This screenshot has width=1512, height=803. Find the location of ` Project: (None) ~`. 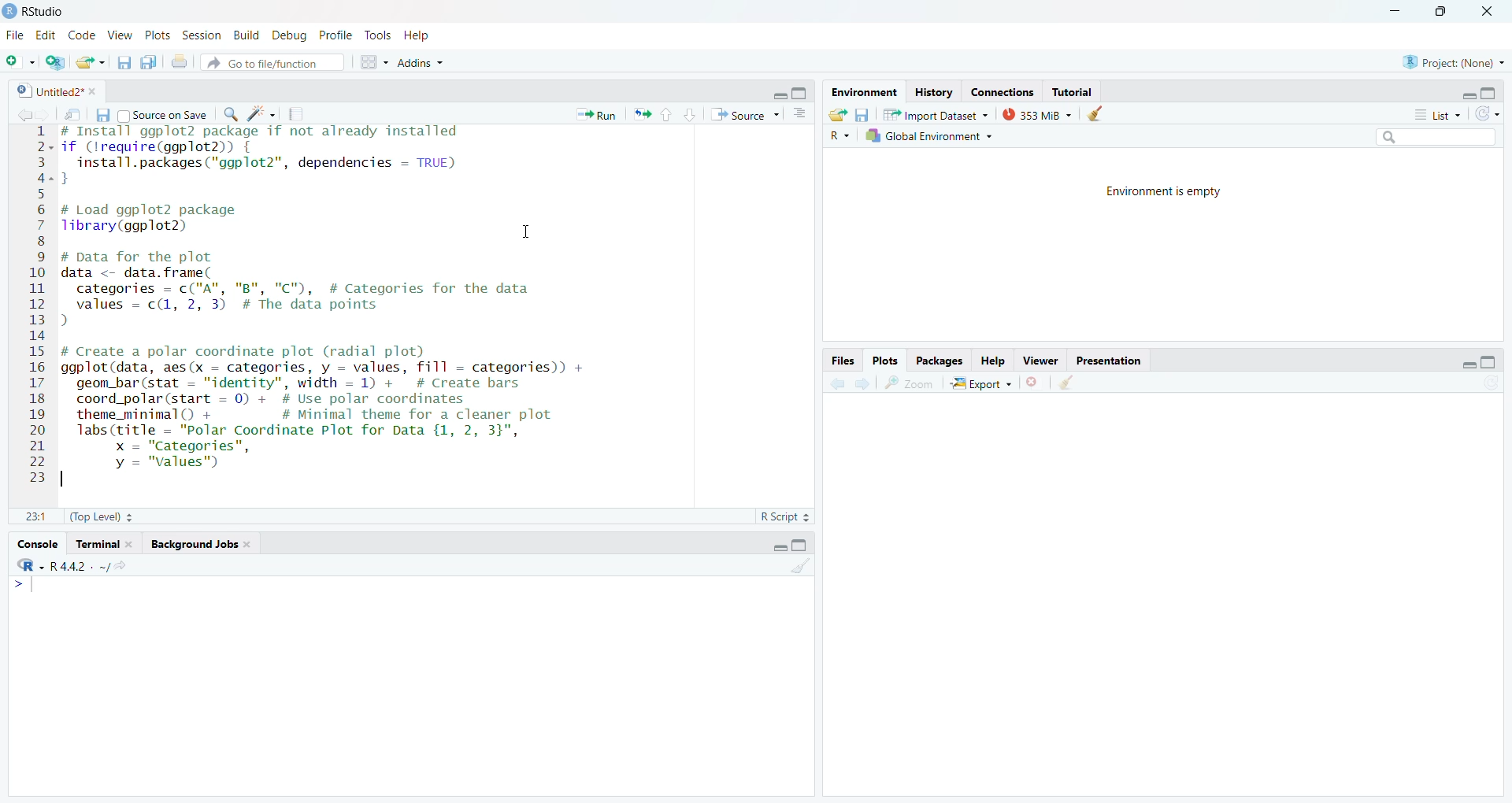

 Project: (None) ~ is located at coordinates (1450, 64).